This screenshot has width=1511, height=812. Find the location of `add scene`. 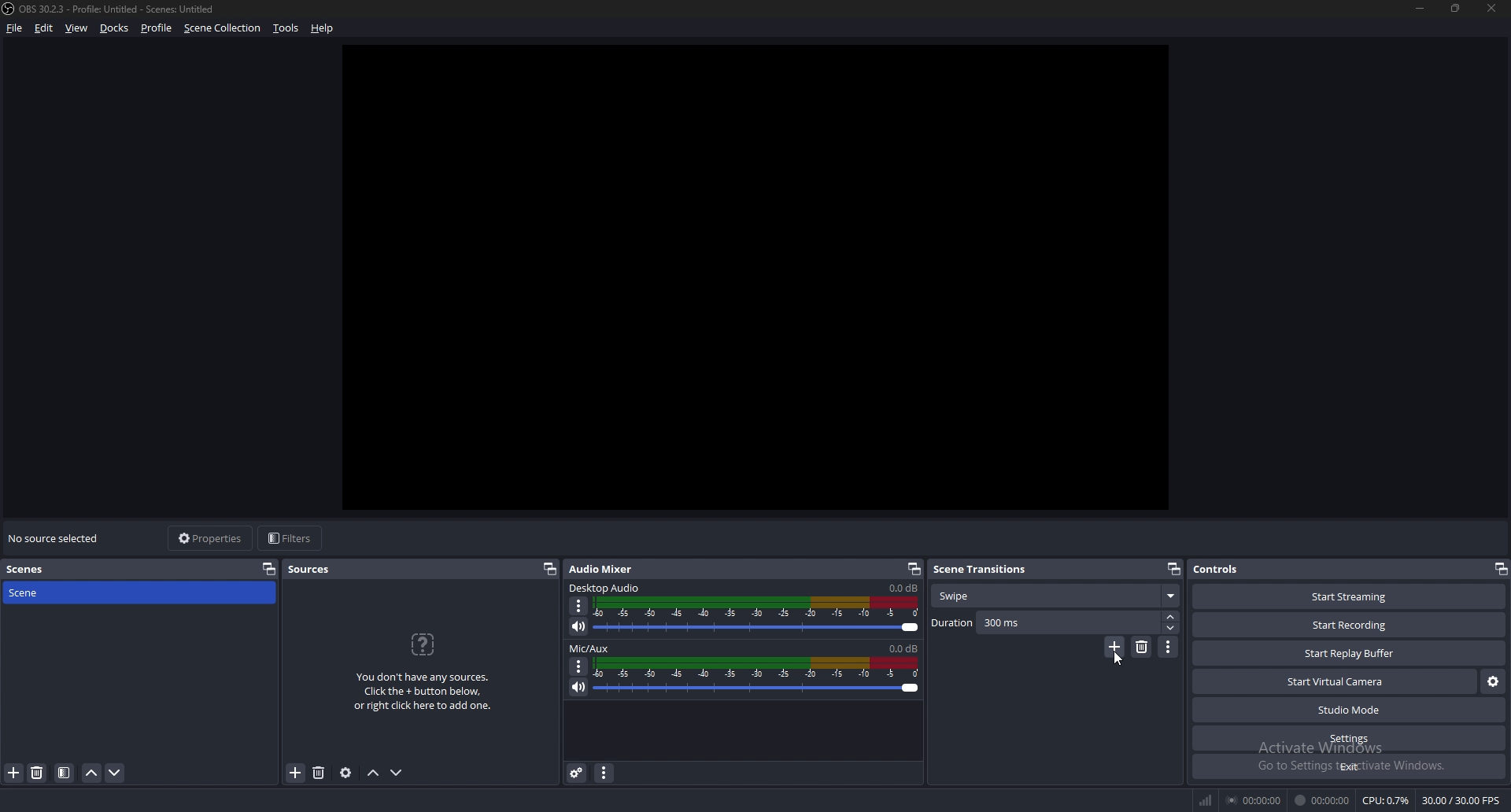

add scene is located at coordinates (13, 773).